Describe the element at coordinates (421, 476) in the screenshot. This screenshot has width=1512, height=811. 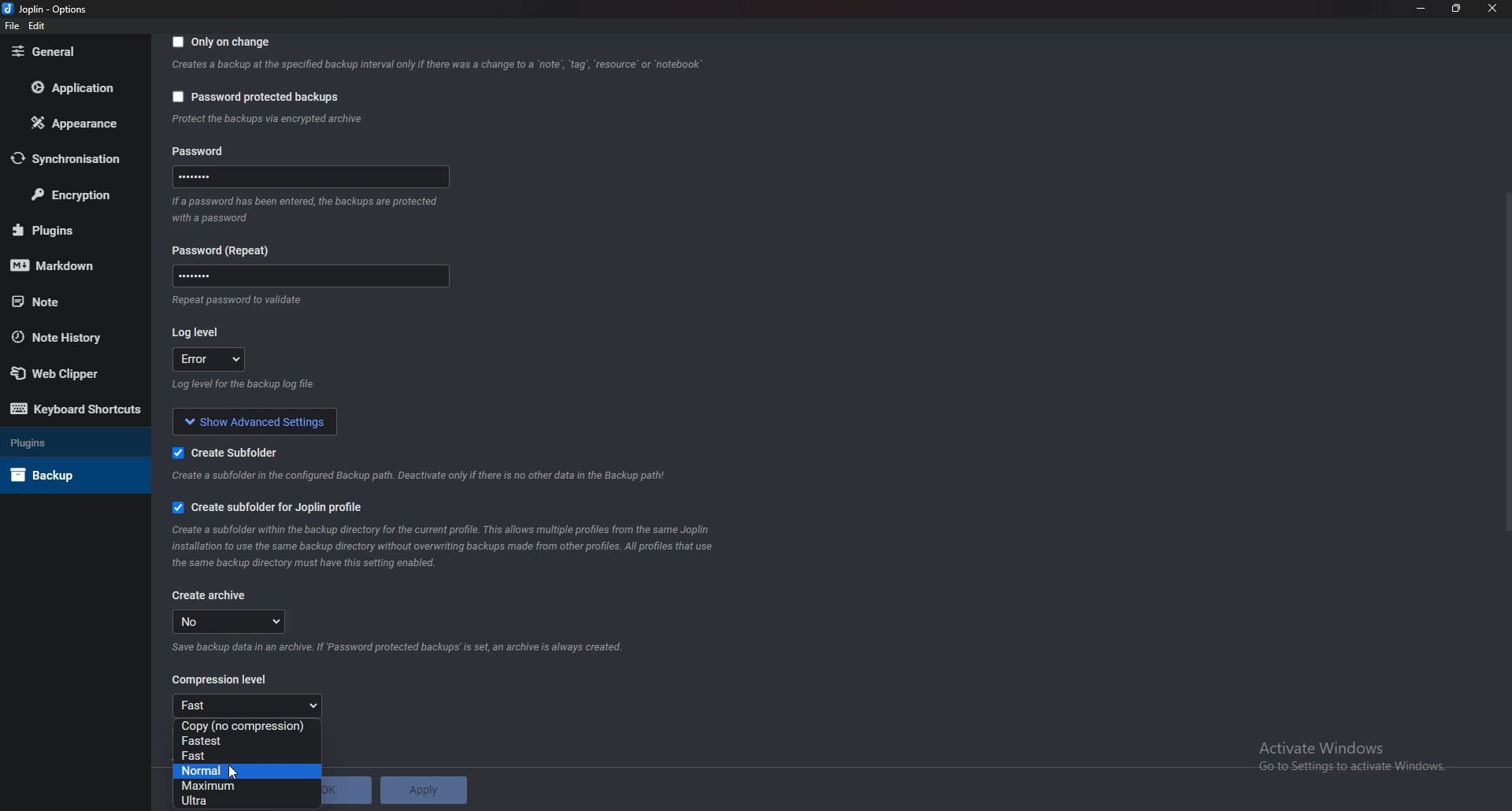
I see `Info on subfolderf` at that location.